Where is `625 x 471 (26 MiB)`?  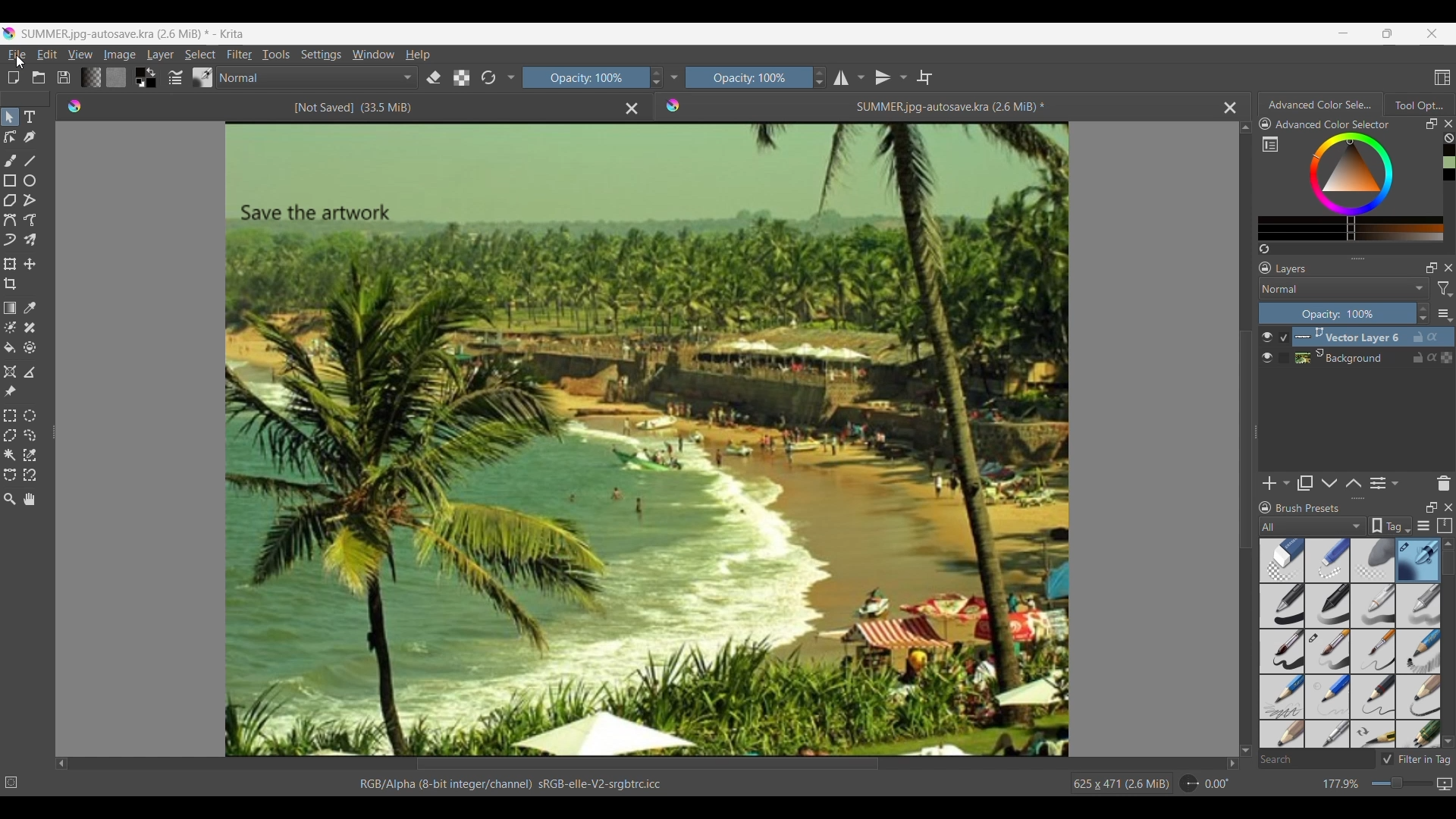 625 x 471 (26 MiB) is located at coordinates (1111, 782).